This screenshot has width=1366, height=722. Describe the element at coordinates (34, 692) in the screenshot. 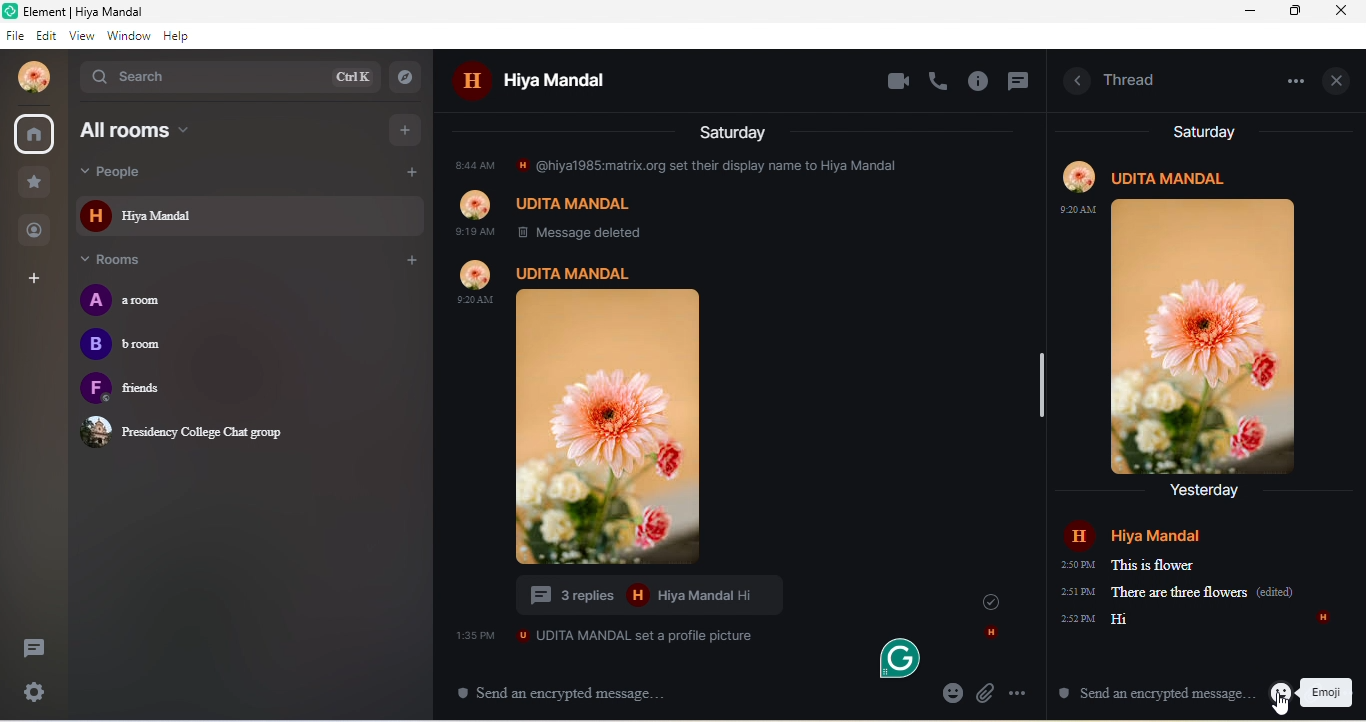

I see `Quick settings` at that location.